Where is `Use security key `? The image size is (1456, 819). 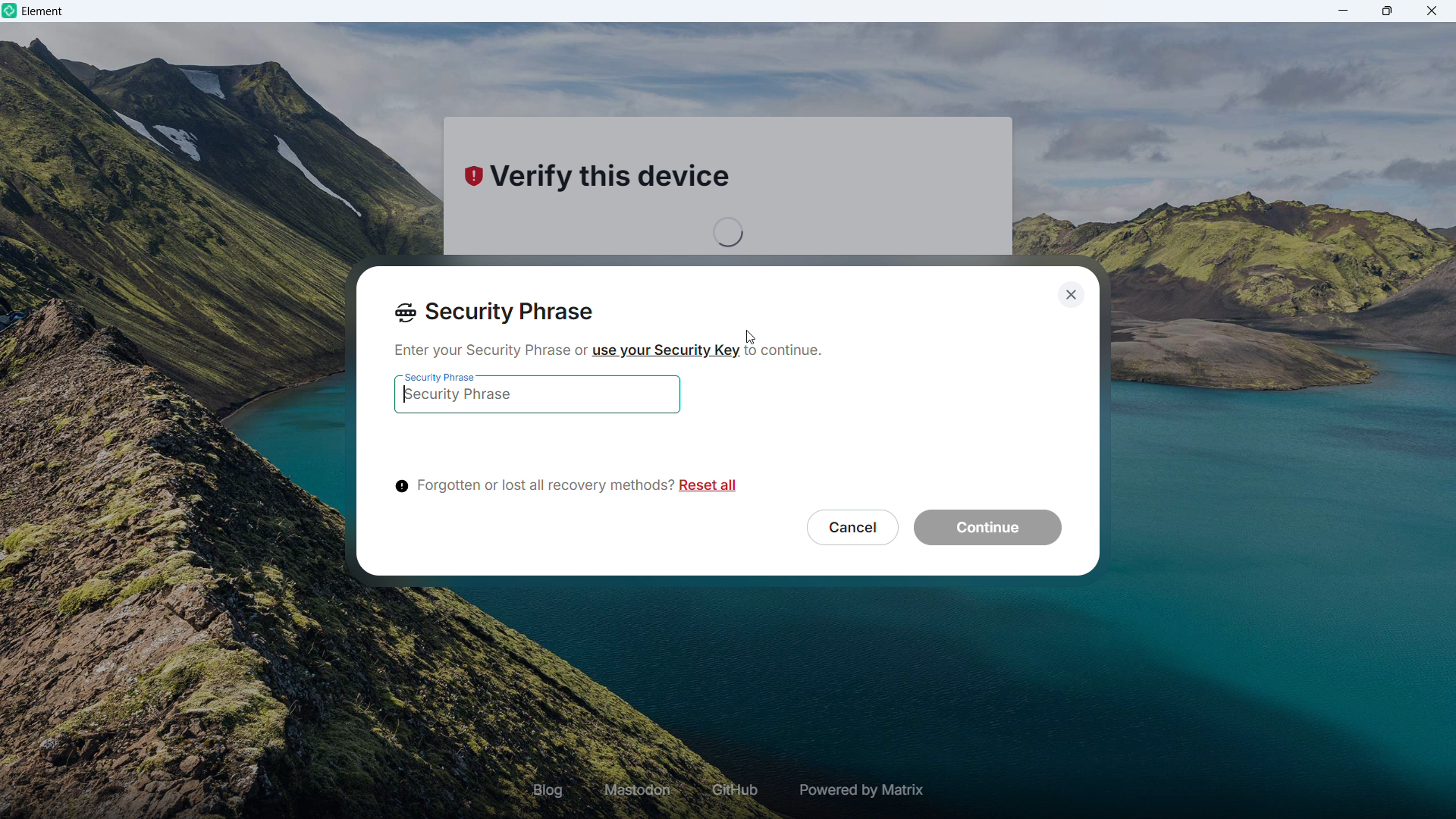
Use security key  is located at coordinates (664, 350).